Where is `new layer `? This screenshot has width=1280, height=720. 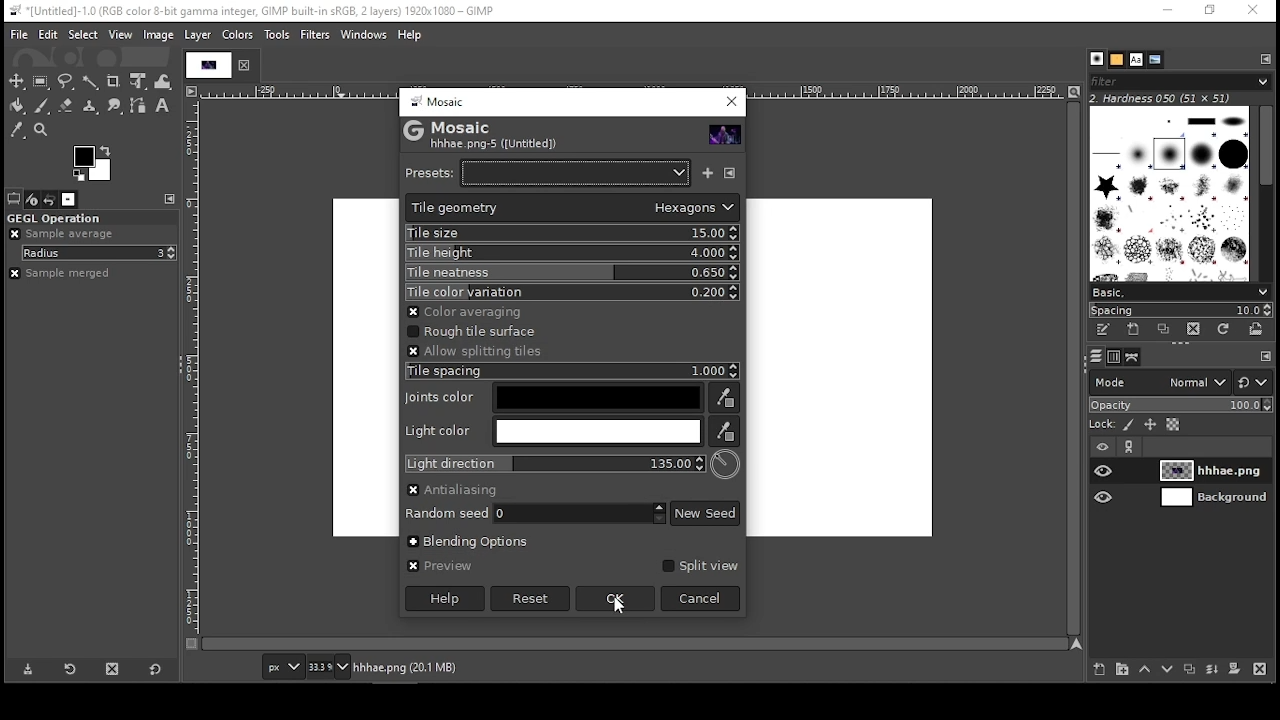
new layer  is located at coordinates (1101, 669).